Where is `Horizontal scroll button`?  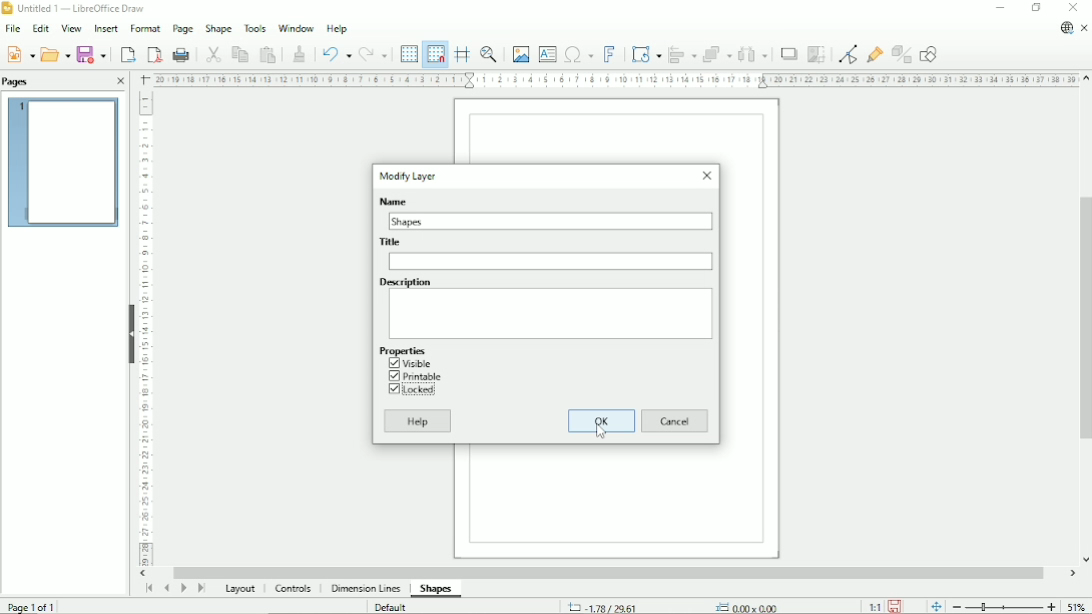
Horizontal scroll button is located at coordinates (1072, 573).